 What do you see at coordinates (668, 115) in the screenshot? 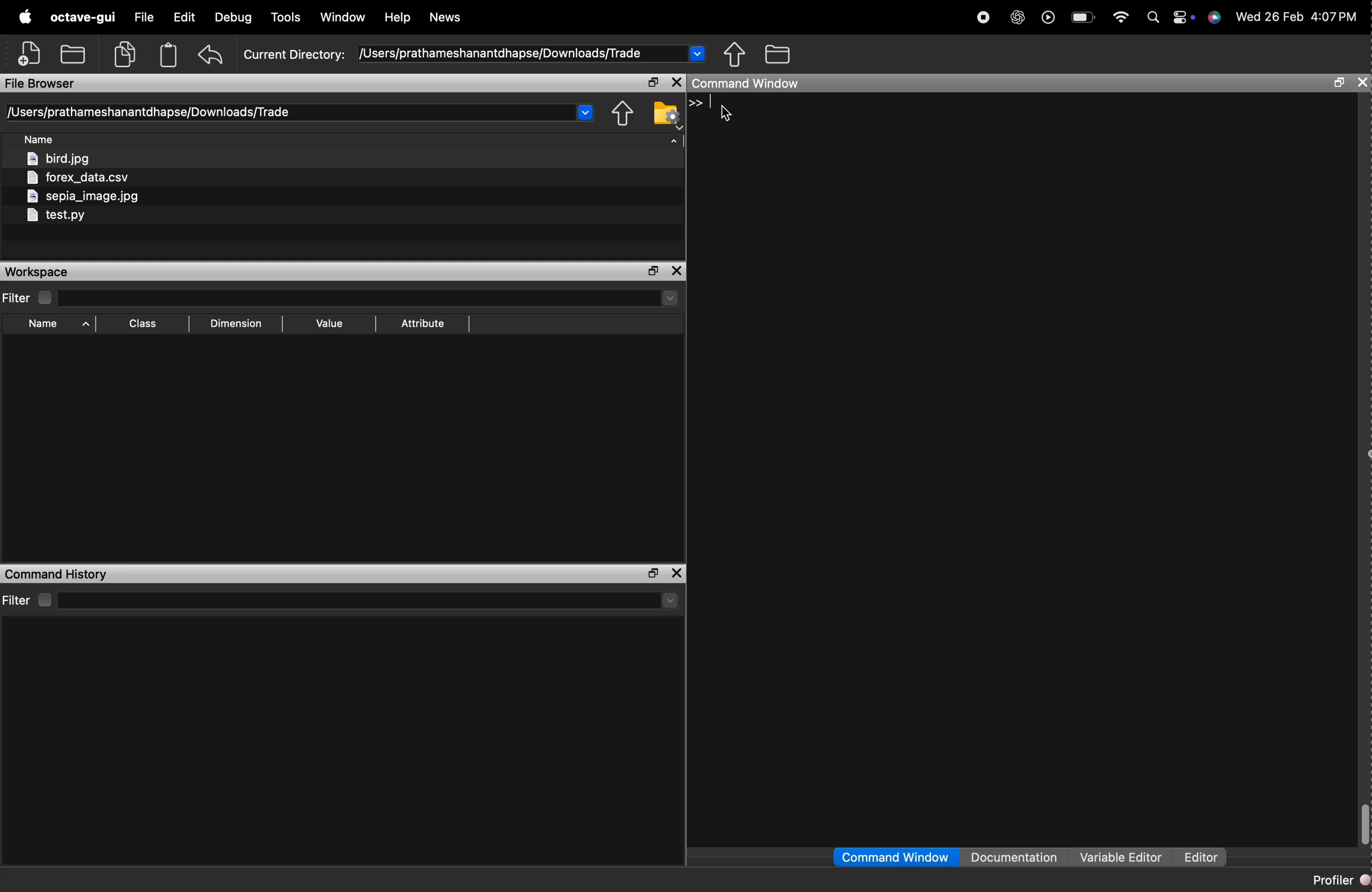
I see `folder settings` at bounding box center [668, 115].